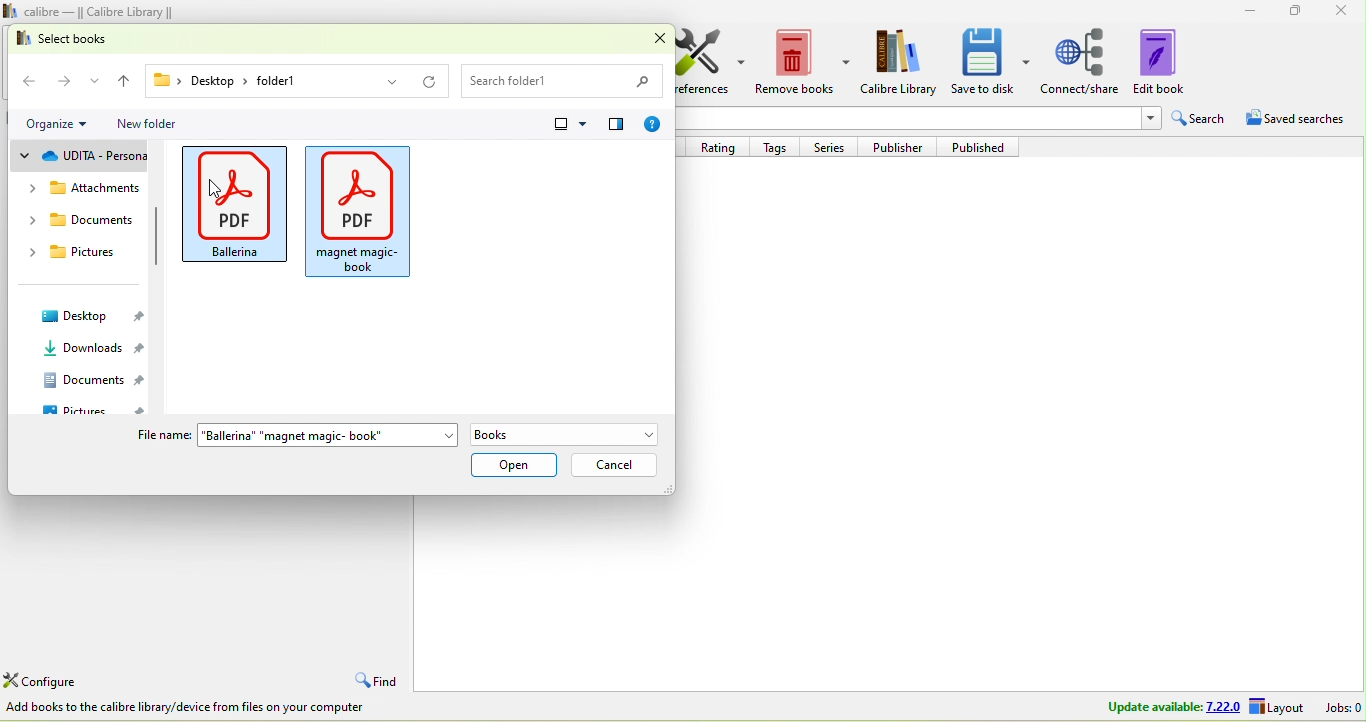  I want to click on minimize, so click(1245, 11).